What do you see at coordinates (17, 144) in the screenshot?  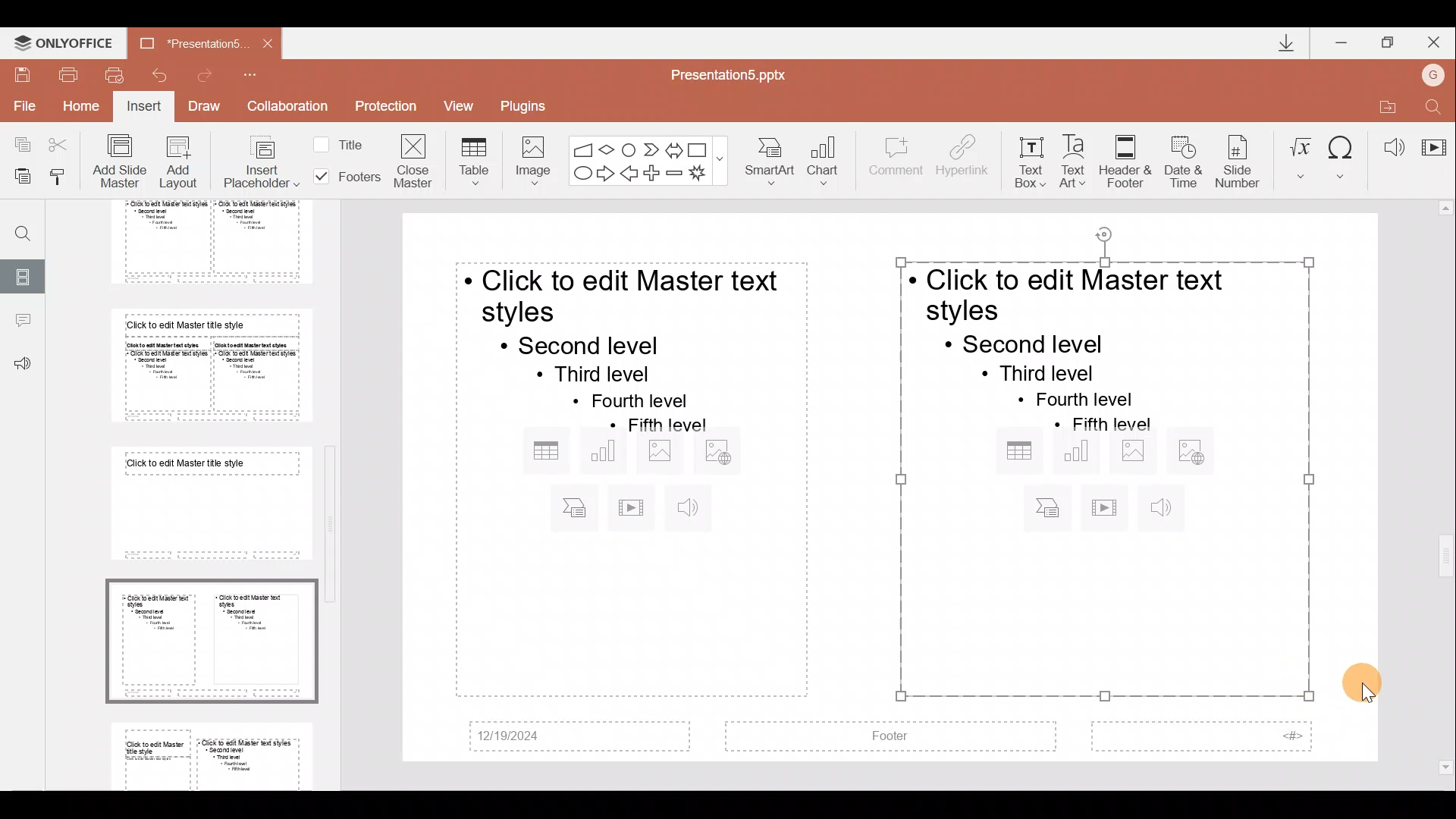 I see `Copy` at bounding box center [17, 144].